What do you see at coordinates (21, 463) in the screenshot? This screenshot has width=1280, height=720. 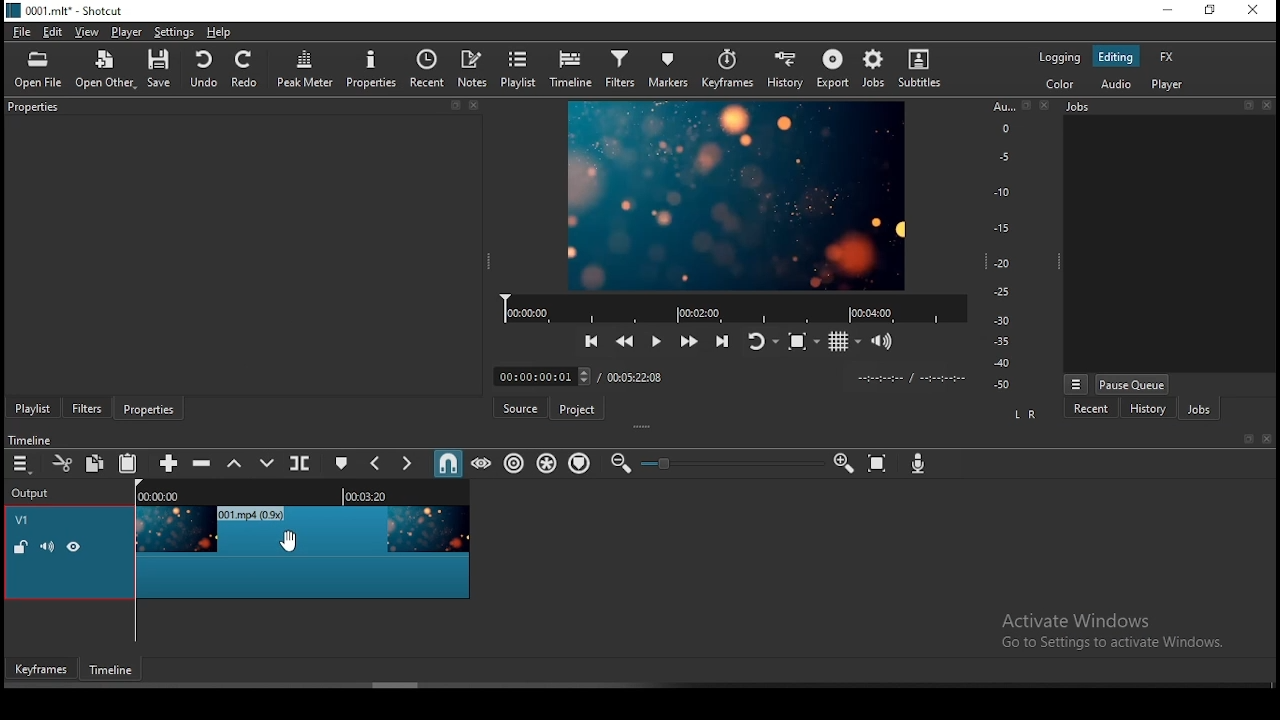 I see `timeline menu` at bounding box center [21, 463].